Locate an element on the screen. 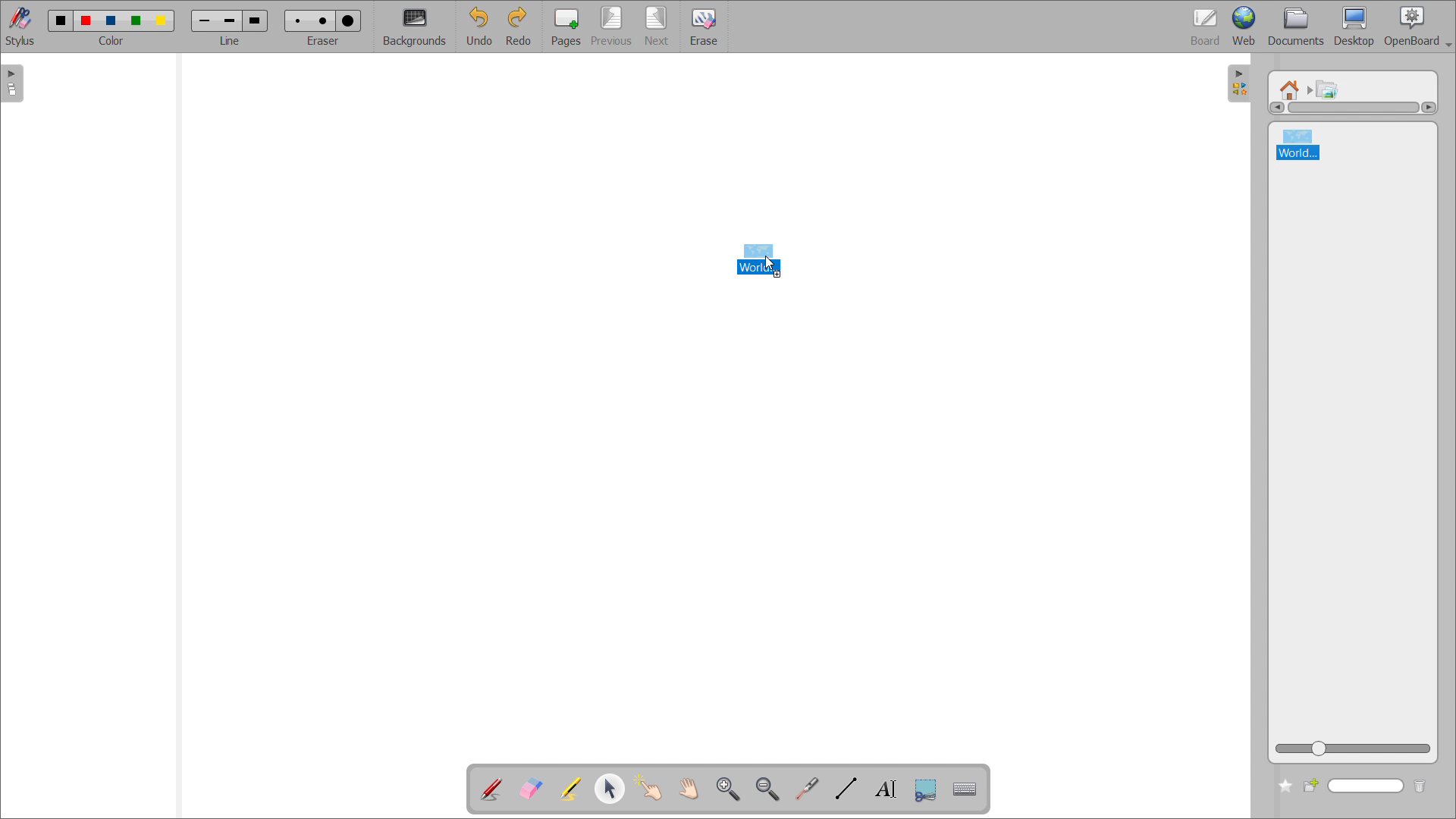  erase is located at coordinates (704, 27).